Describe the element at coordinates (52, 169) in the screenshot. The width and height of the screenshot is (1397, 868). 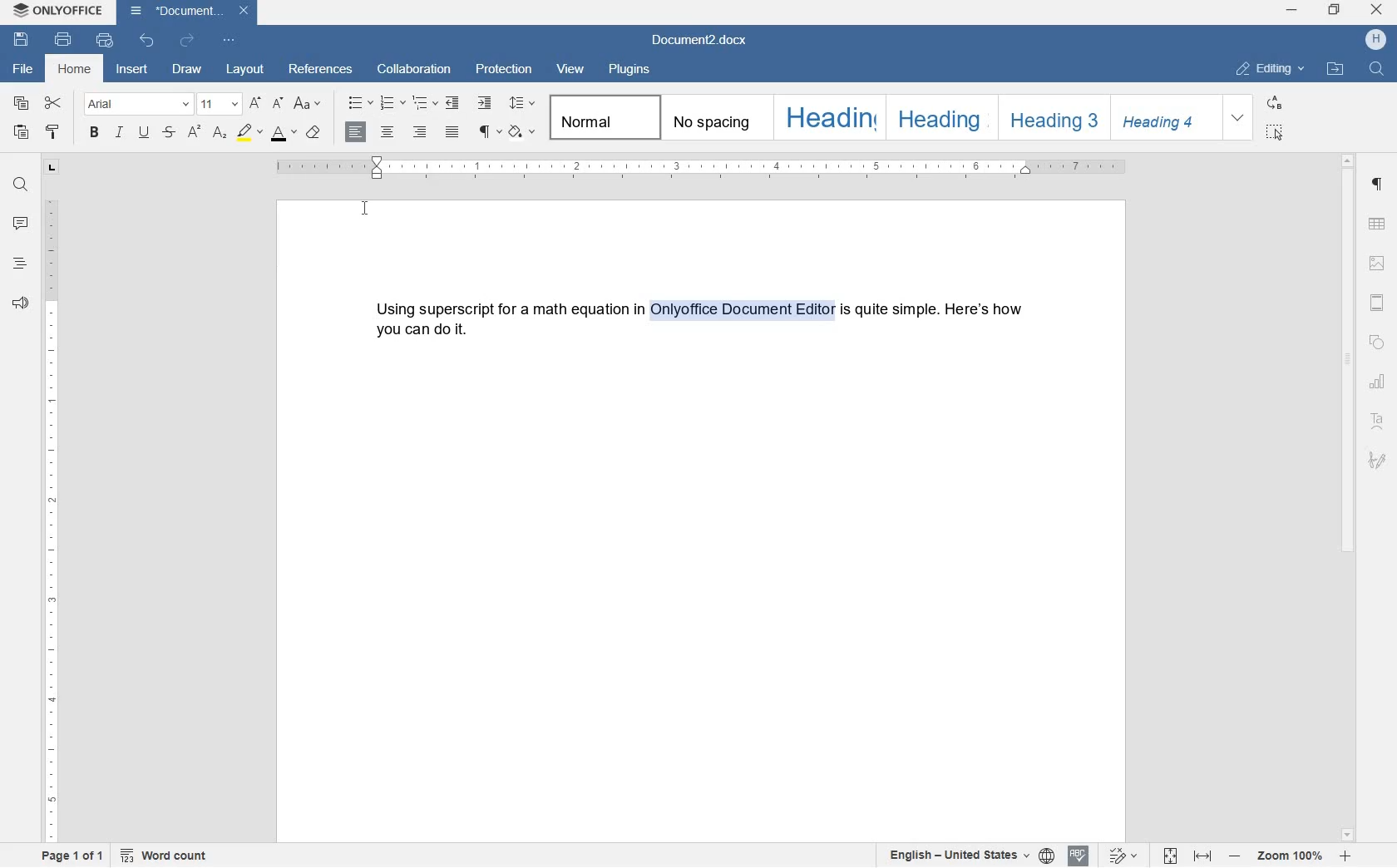
I see `tab` at that location.